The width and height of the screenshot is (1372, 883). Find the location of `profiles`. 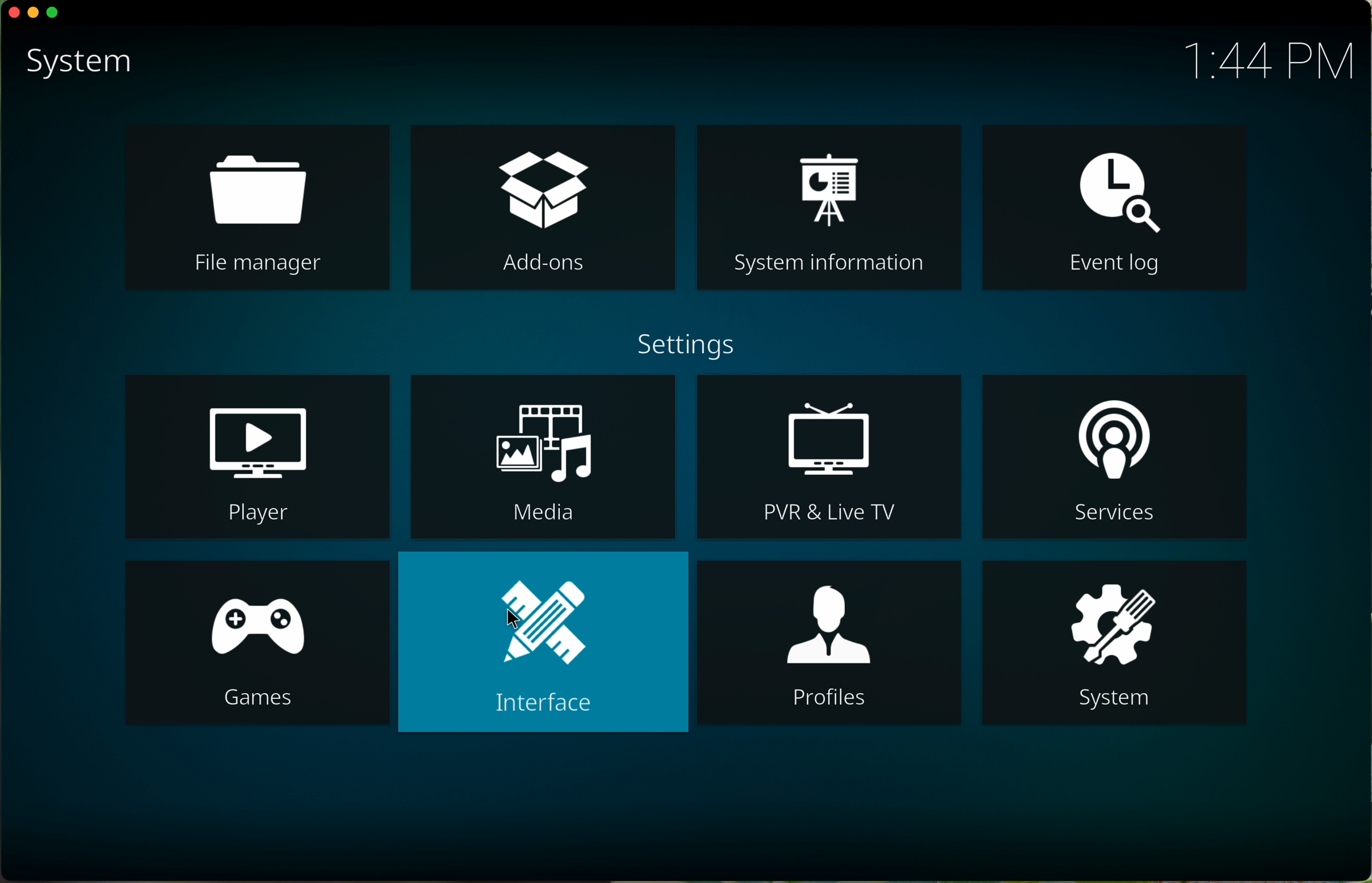

profiles is located at coordinates (829, 644).